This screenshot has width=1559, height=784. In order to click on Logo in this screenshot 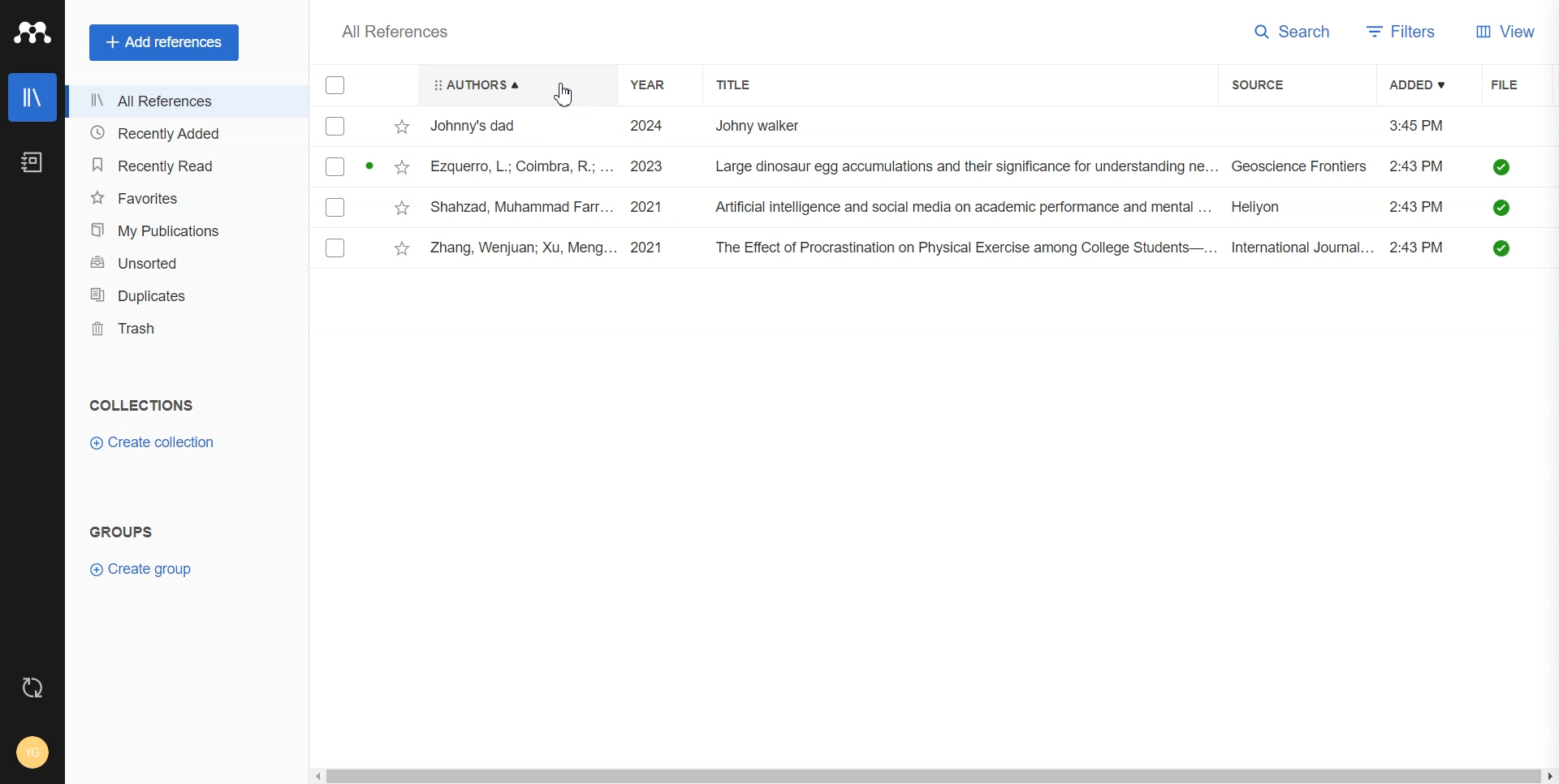, I will do `click(32, 32)`.